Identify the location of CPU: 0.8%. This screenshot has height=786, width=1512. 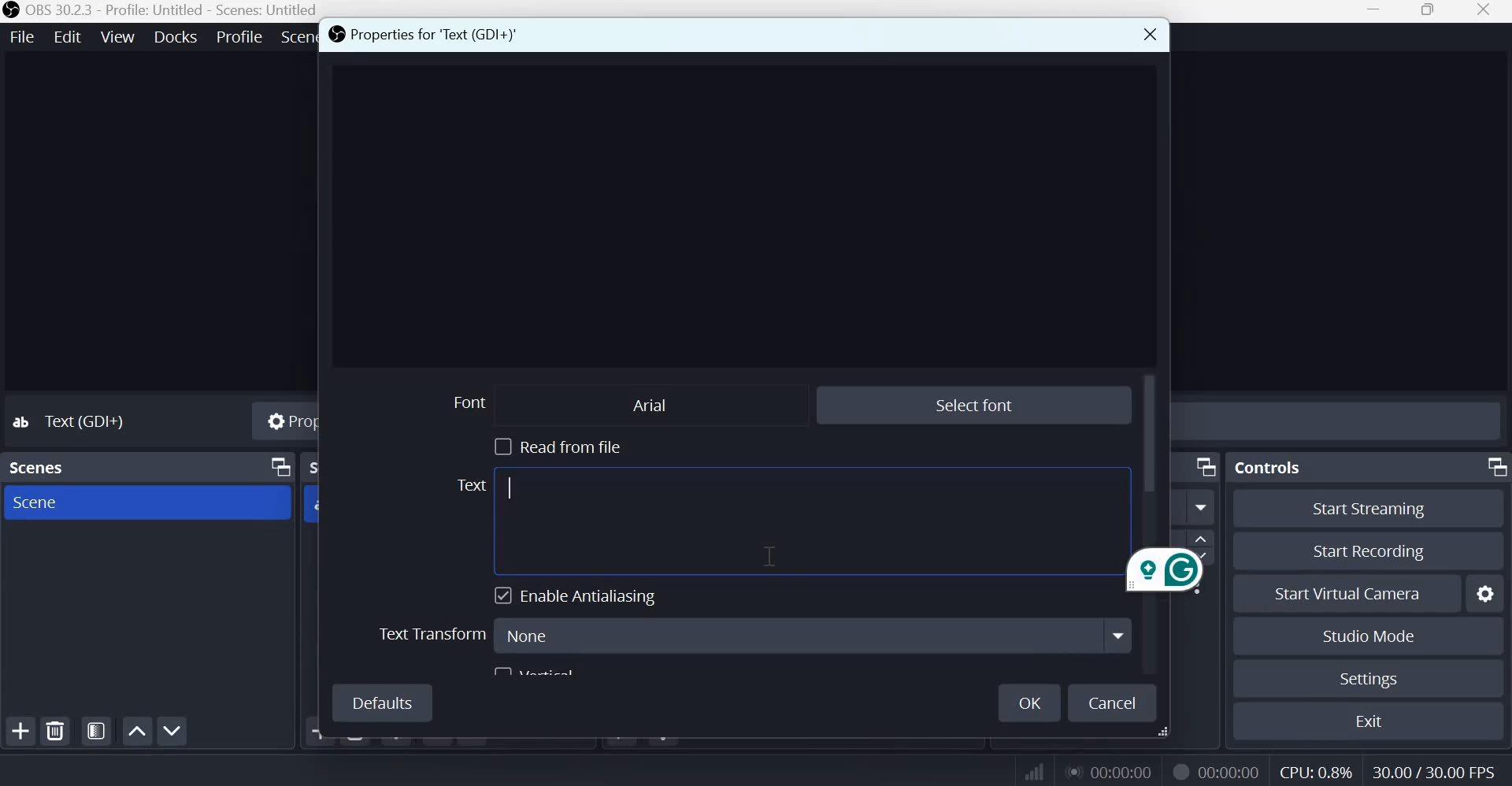
(1317, 769).